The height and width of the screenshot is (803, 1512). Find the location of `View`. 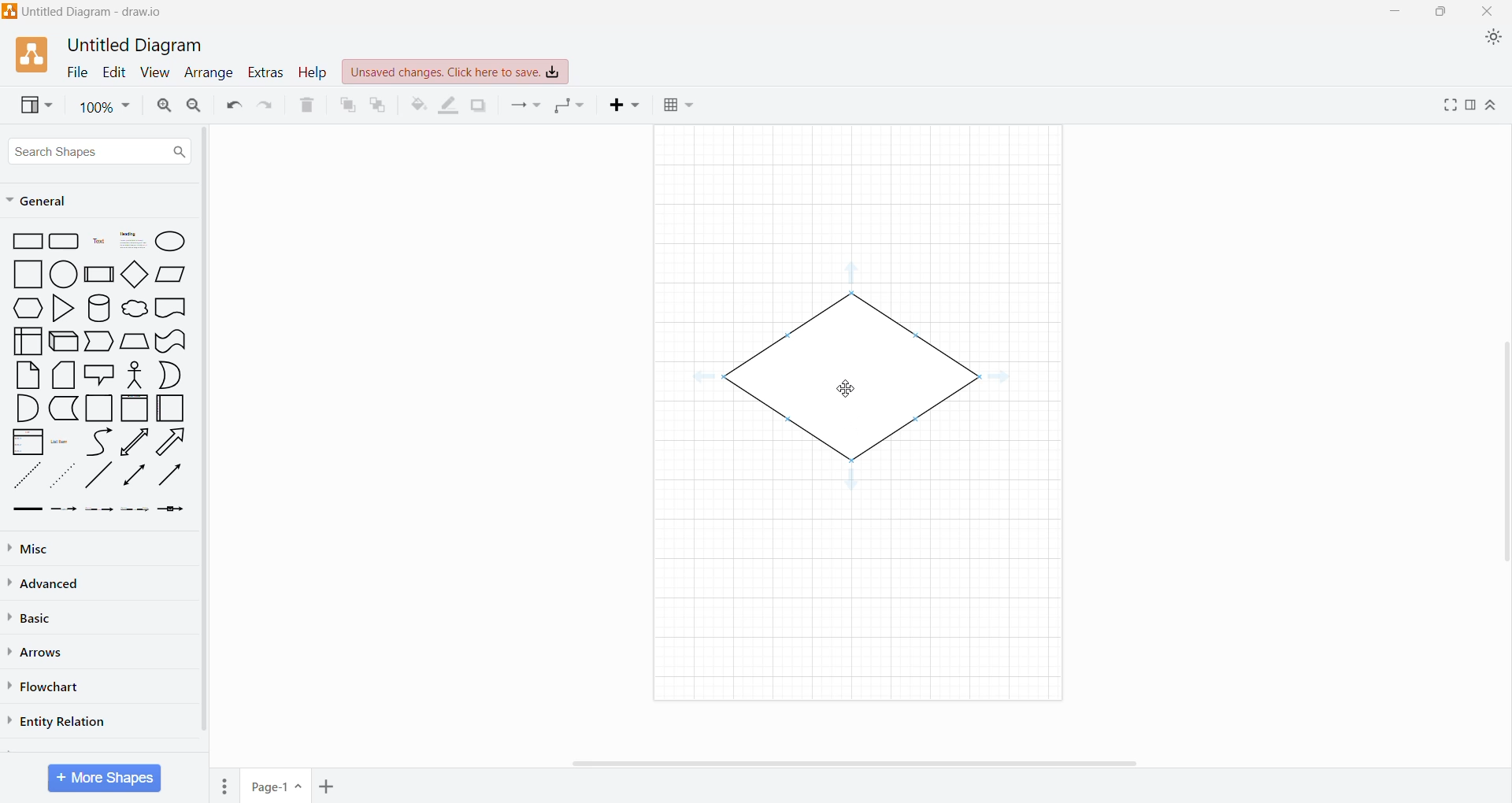

View is located at coordinates (35, 105).